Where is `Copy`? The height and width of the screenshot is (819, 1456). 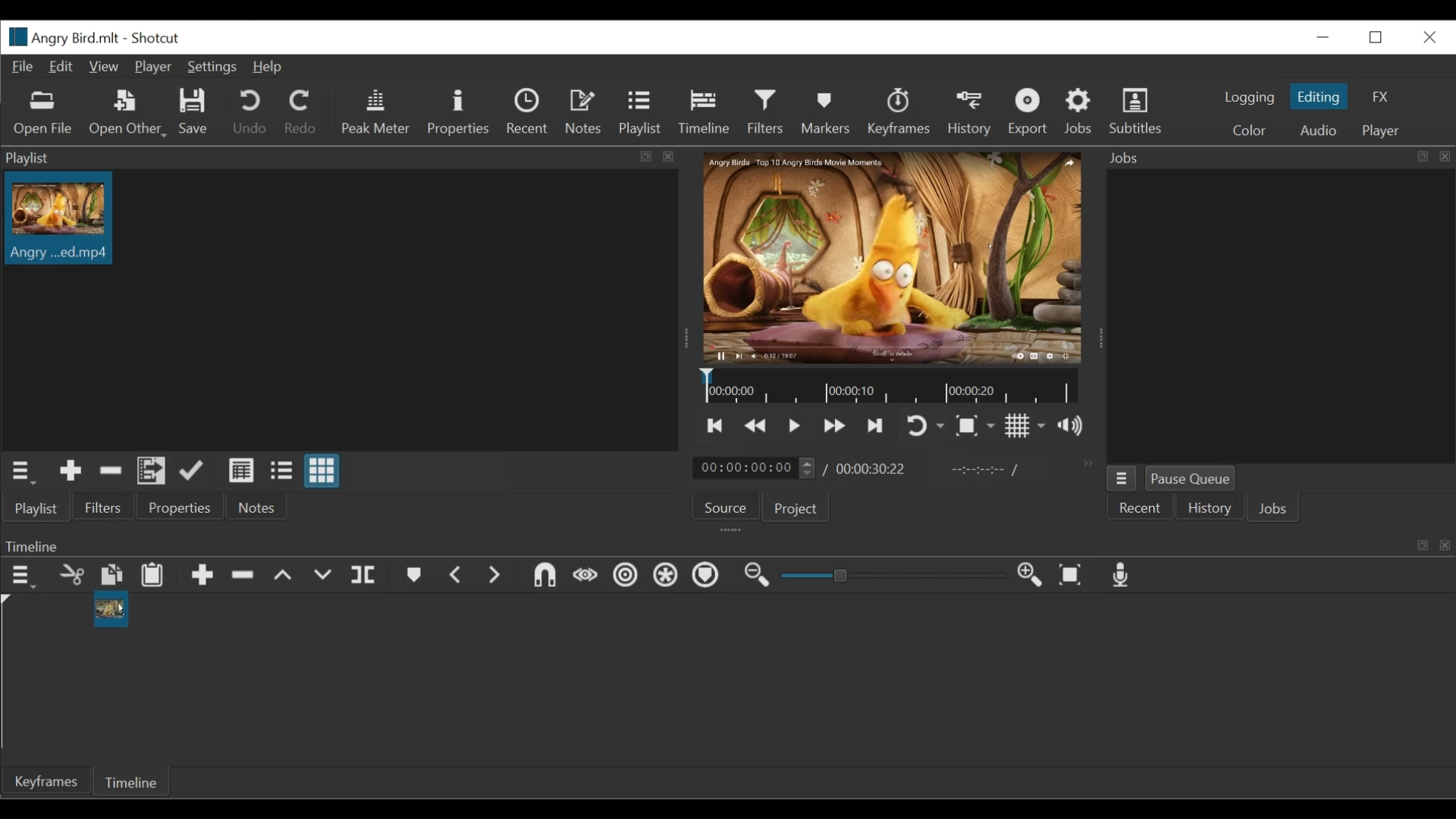
Copy is located at coordinates (111, 576).